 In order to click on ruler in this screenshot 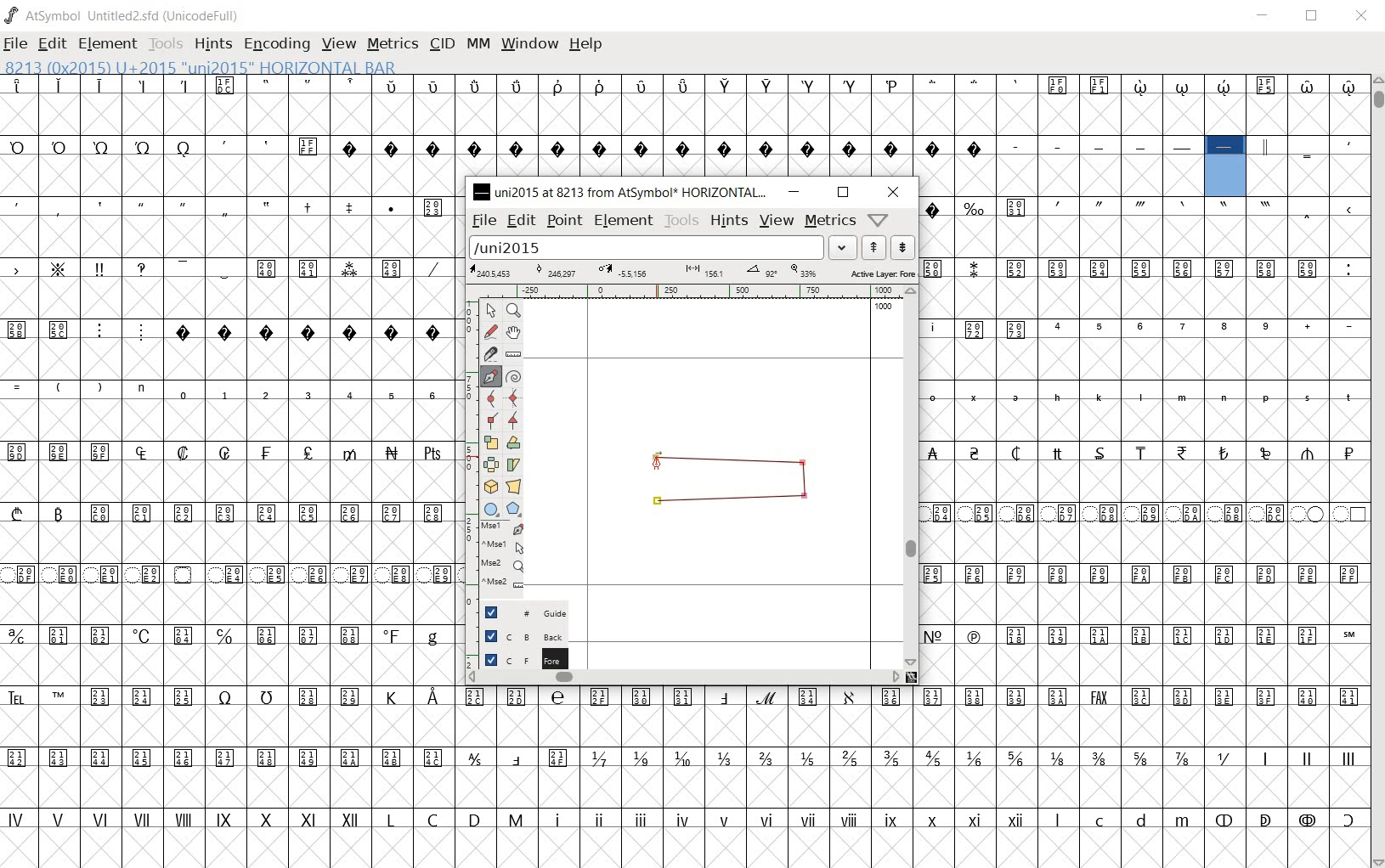, I will do `click(696, 291)`.